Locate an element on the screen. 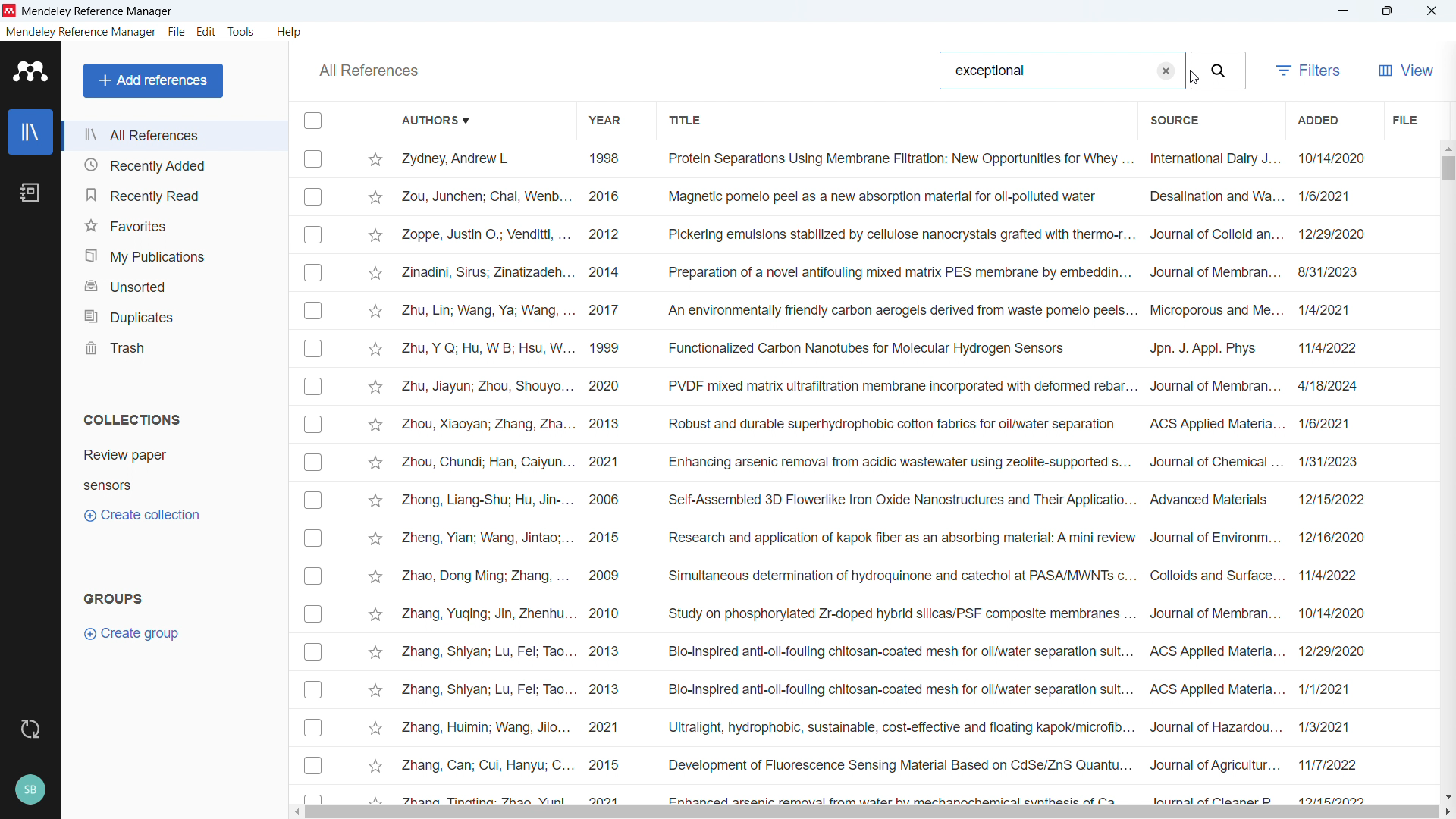  Recently added  is located at coordinates (174, 165).